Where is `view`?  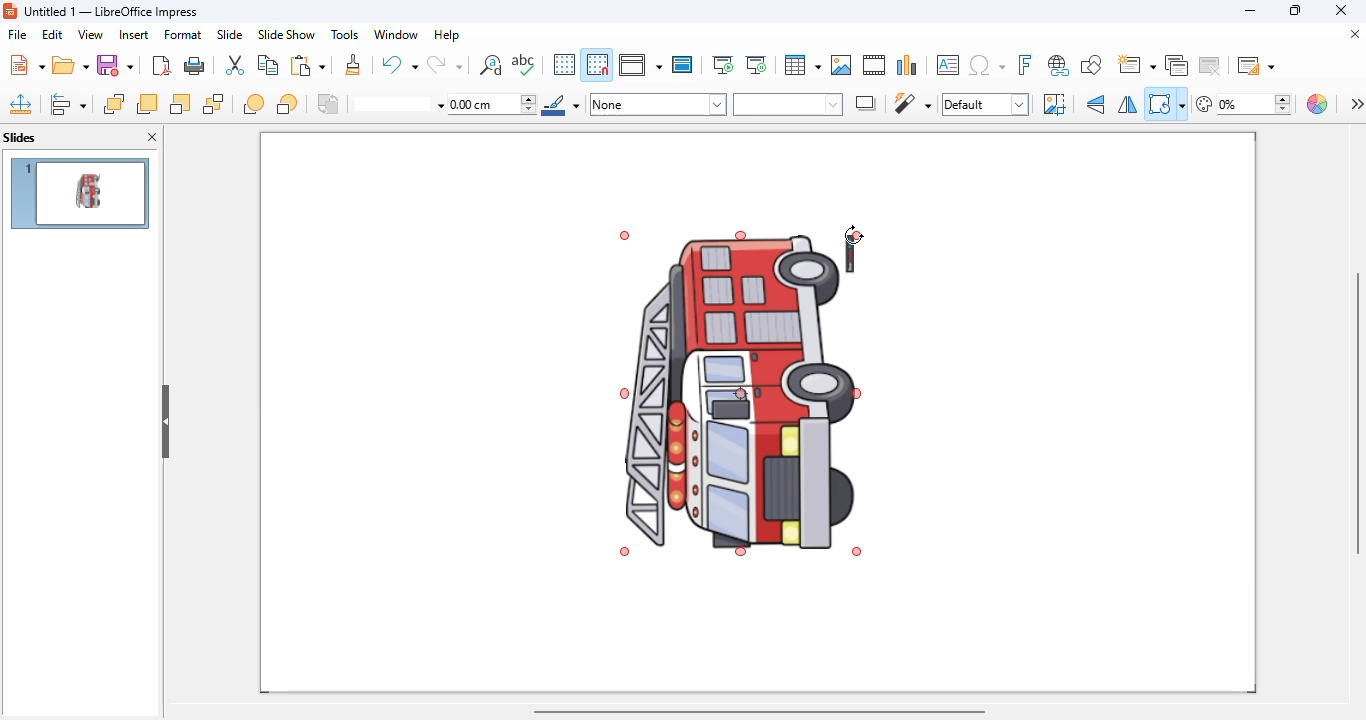
view is located at coordinates (90, 35).